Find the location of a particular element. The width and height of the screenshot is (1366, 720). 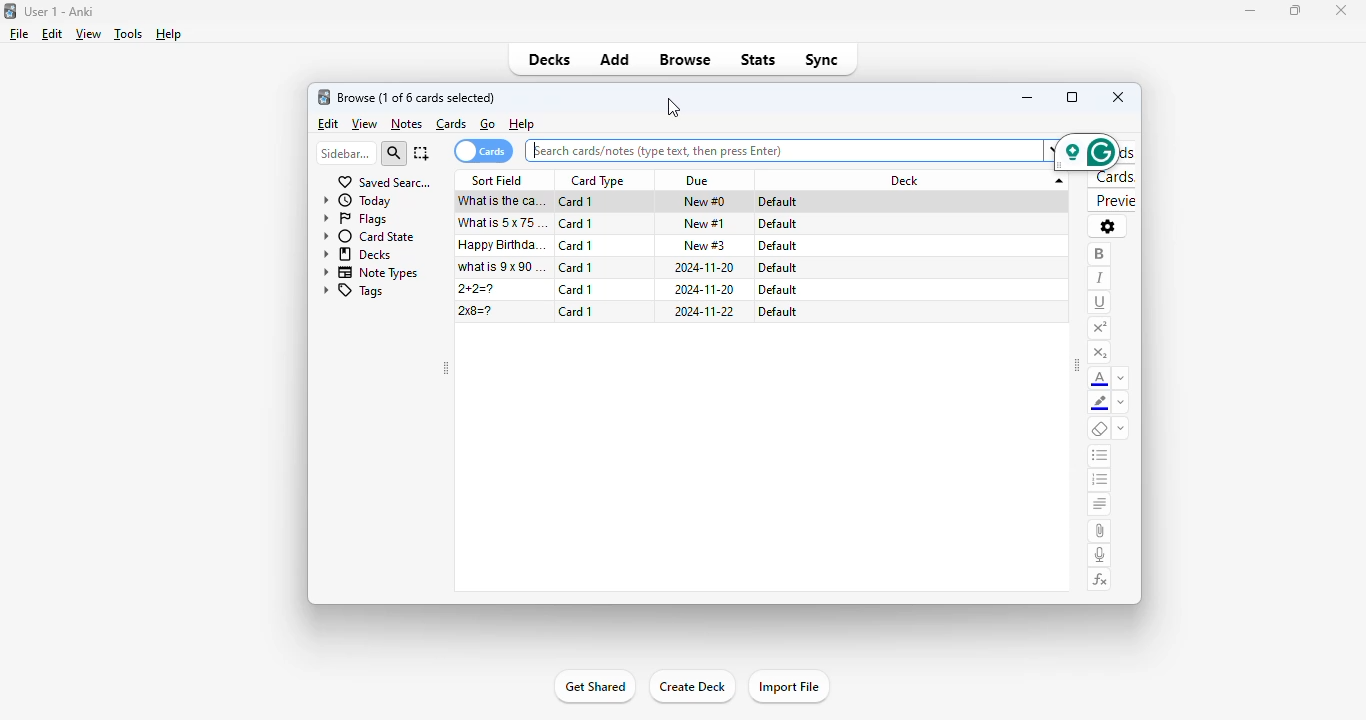

view is located at coordinates (365, 123).